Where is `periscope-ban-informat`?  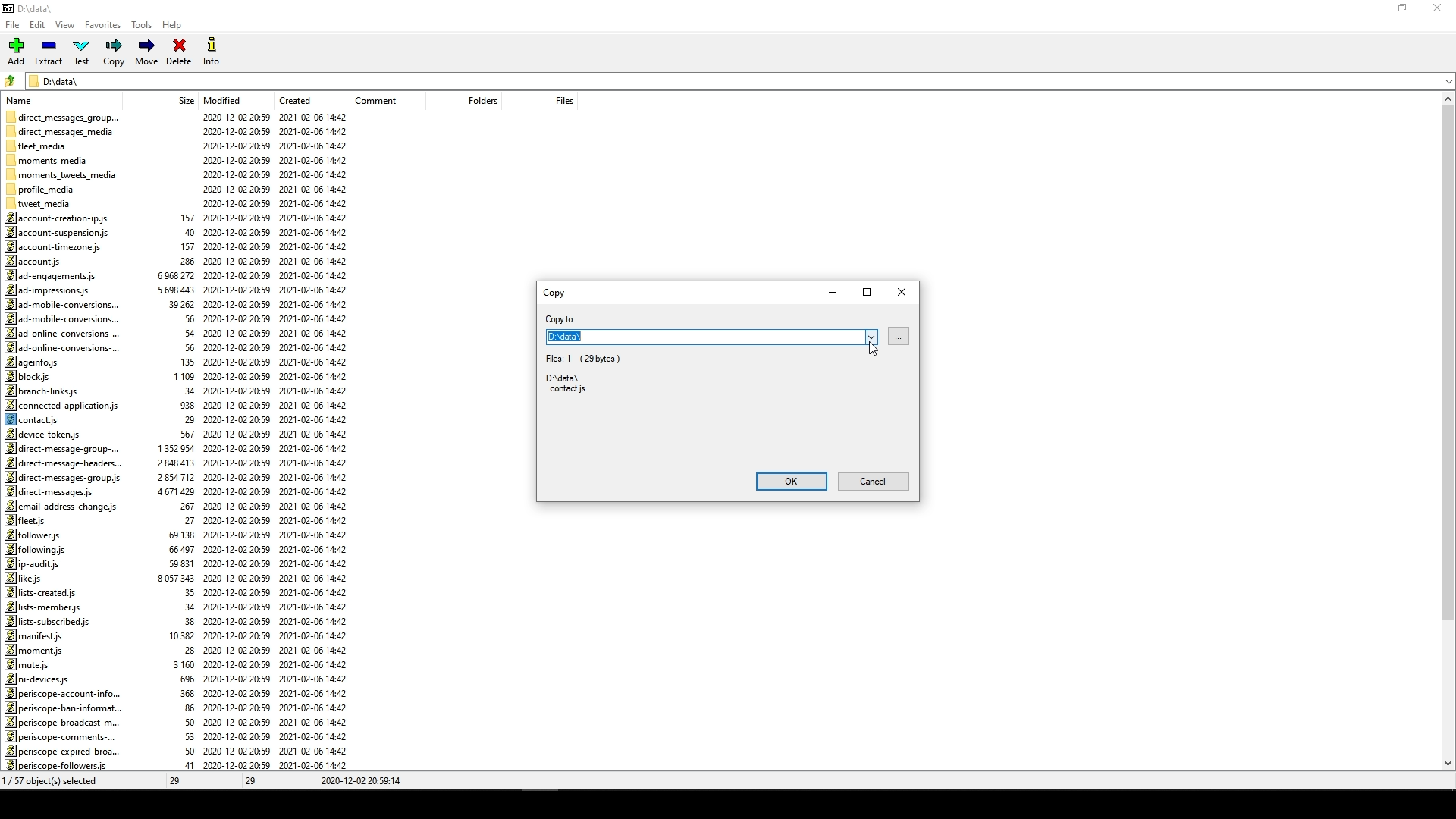
periscope-ban-informat is located at coordinates (69, 707).